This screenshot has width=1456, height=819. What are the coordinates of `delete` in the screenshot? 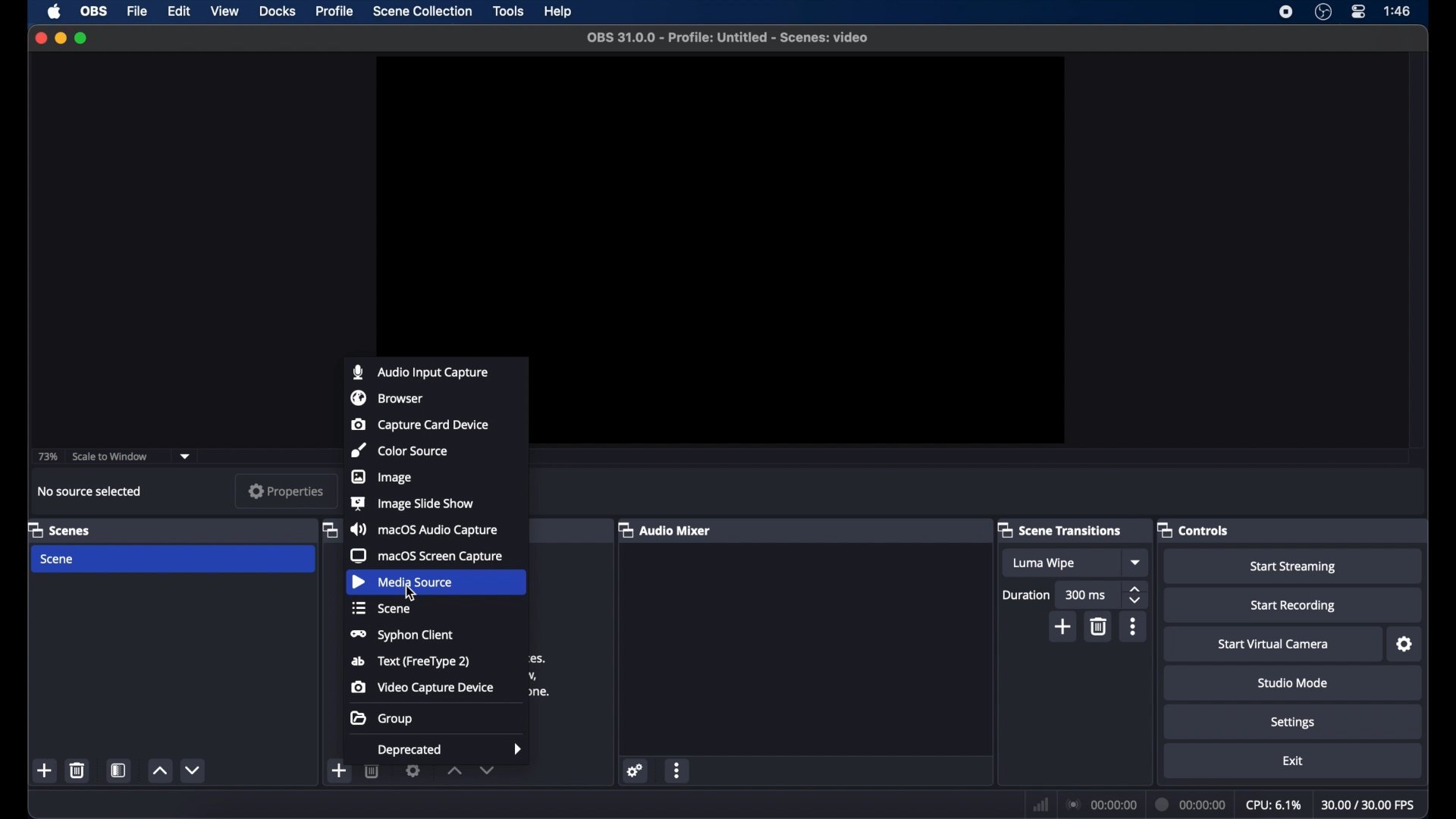 It's located at (78, 770).